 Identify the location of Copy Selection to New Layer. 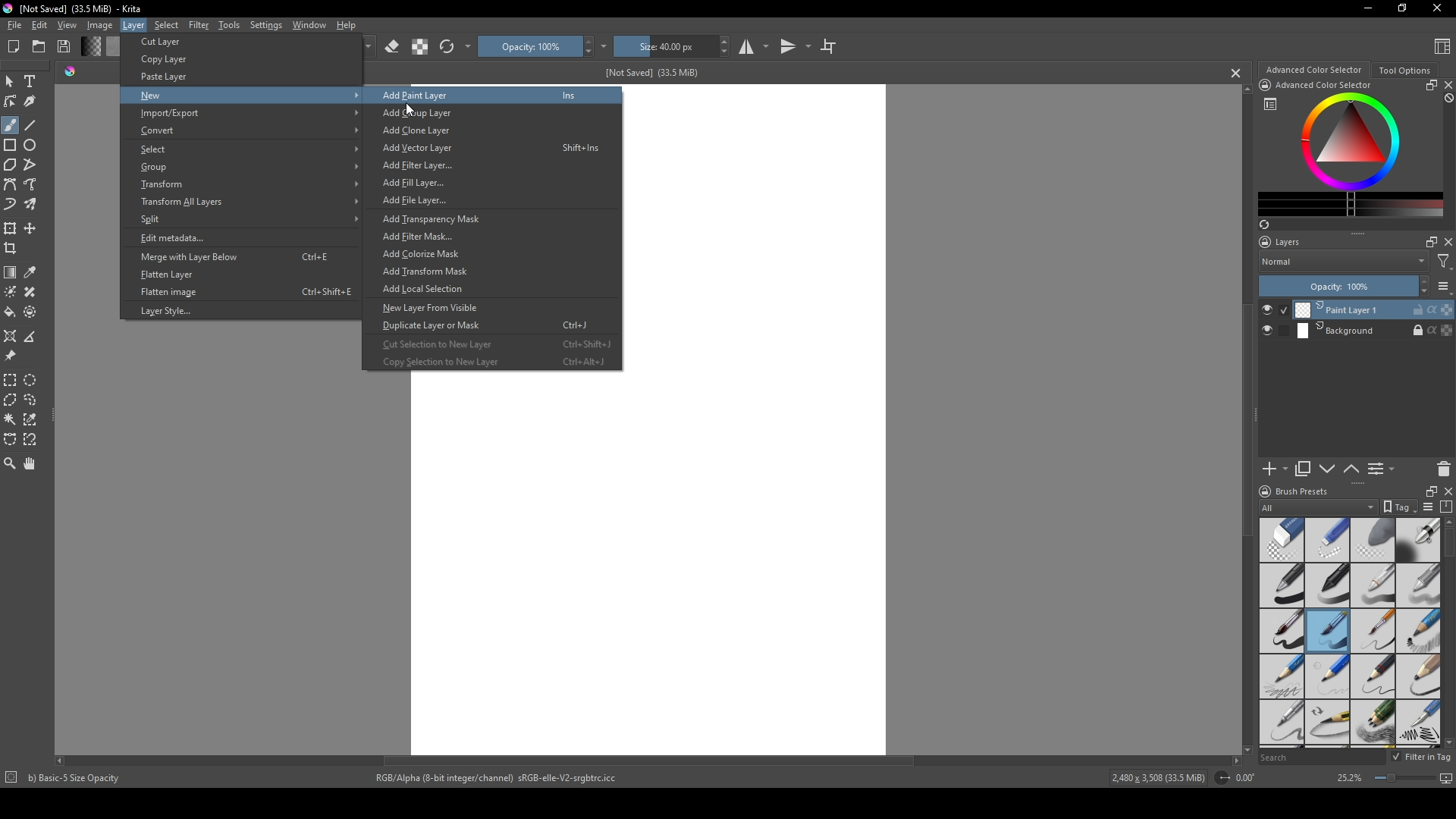
(494, 362).